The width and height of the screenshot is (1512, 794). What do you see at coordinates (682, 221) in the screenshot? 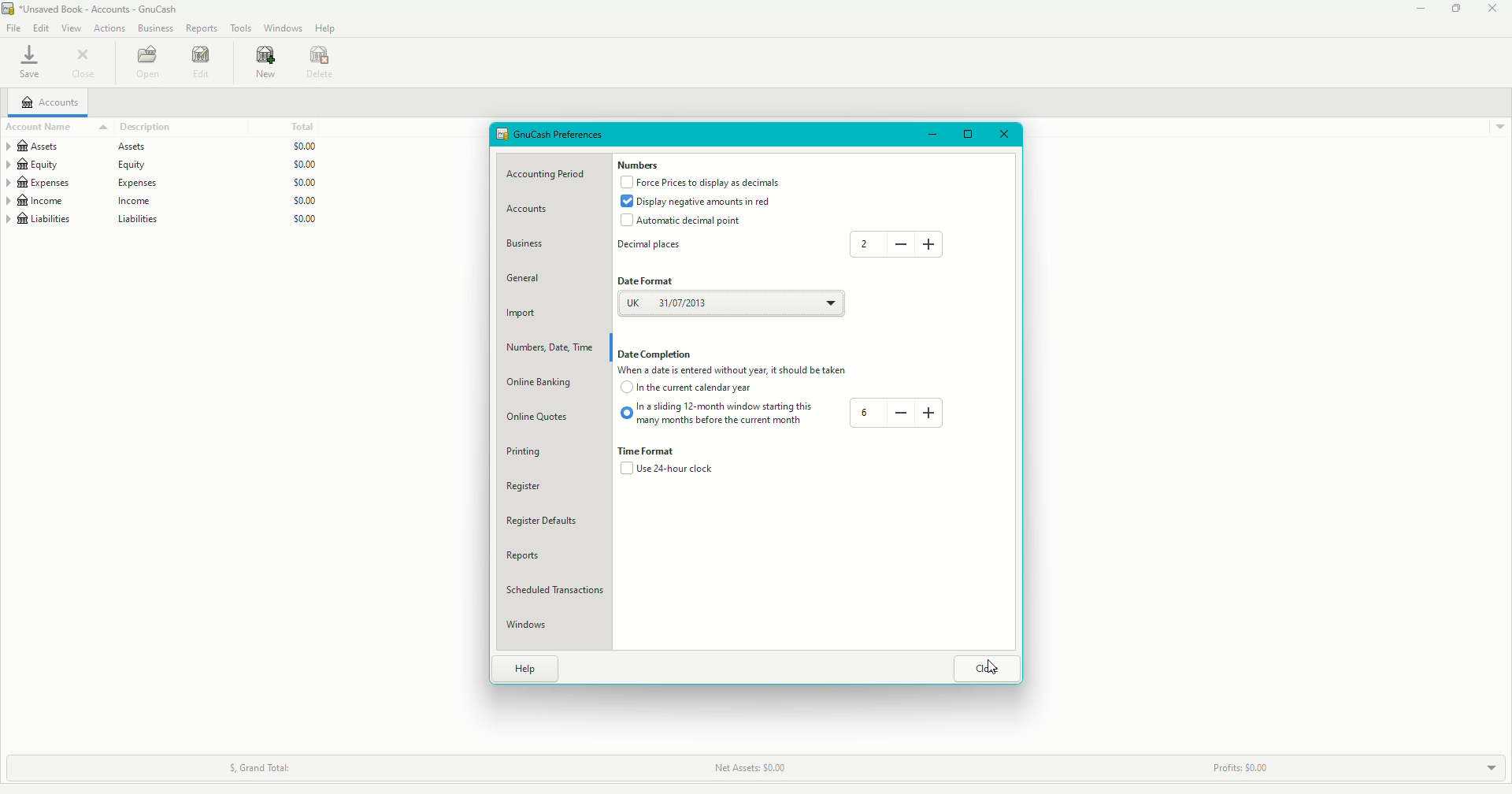
I see `Automatic decimal` at bounding box center [682, 221].